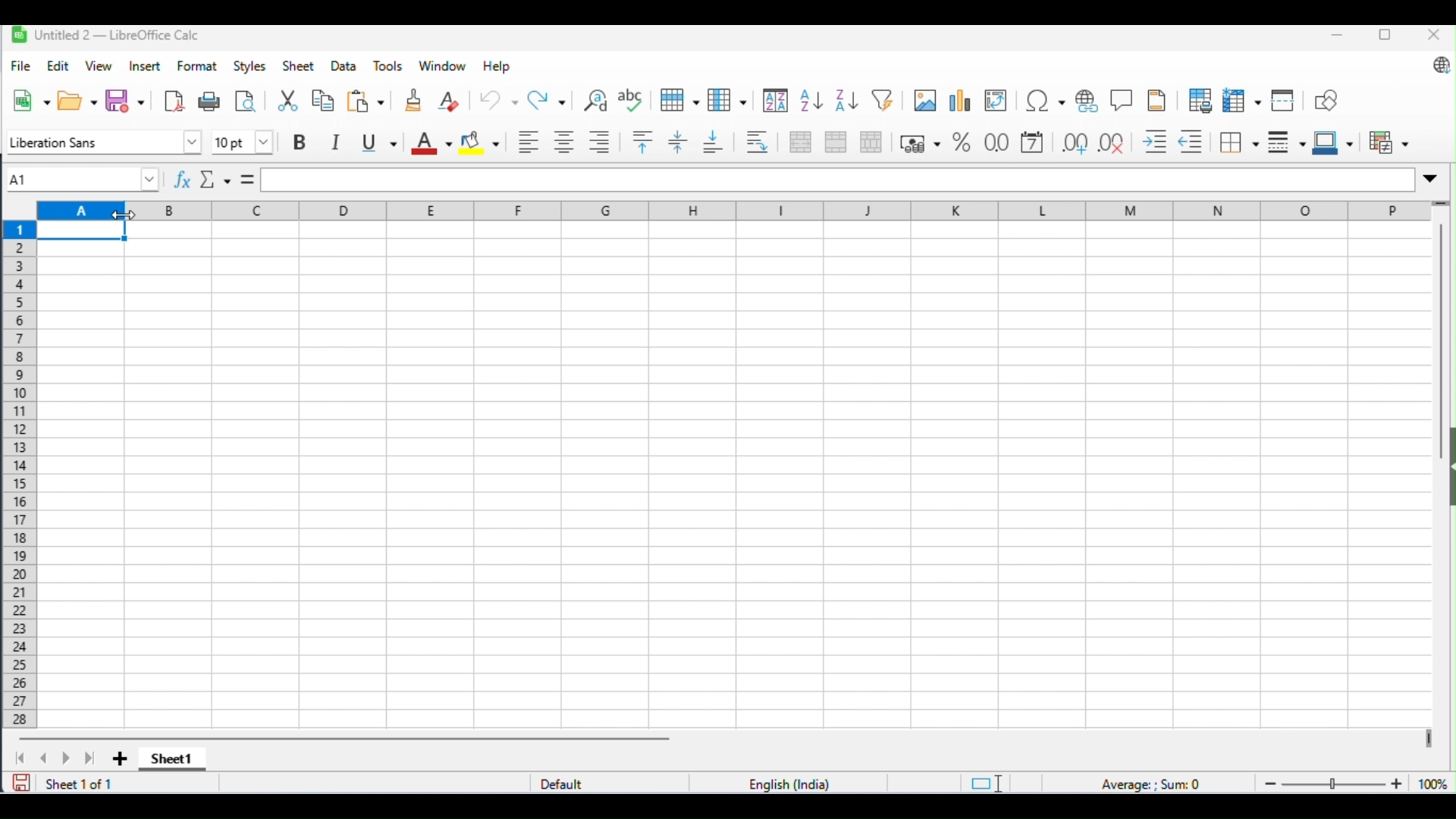 The height and width of the screenshot is (819, 1456). I want to click on format as number, so click(996, 142).